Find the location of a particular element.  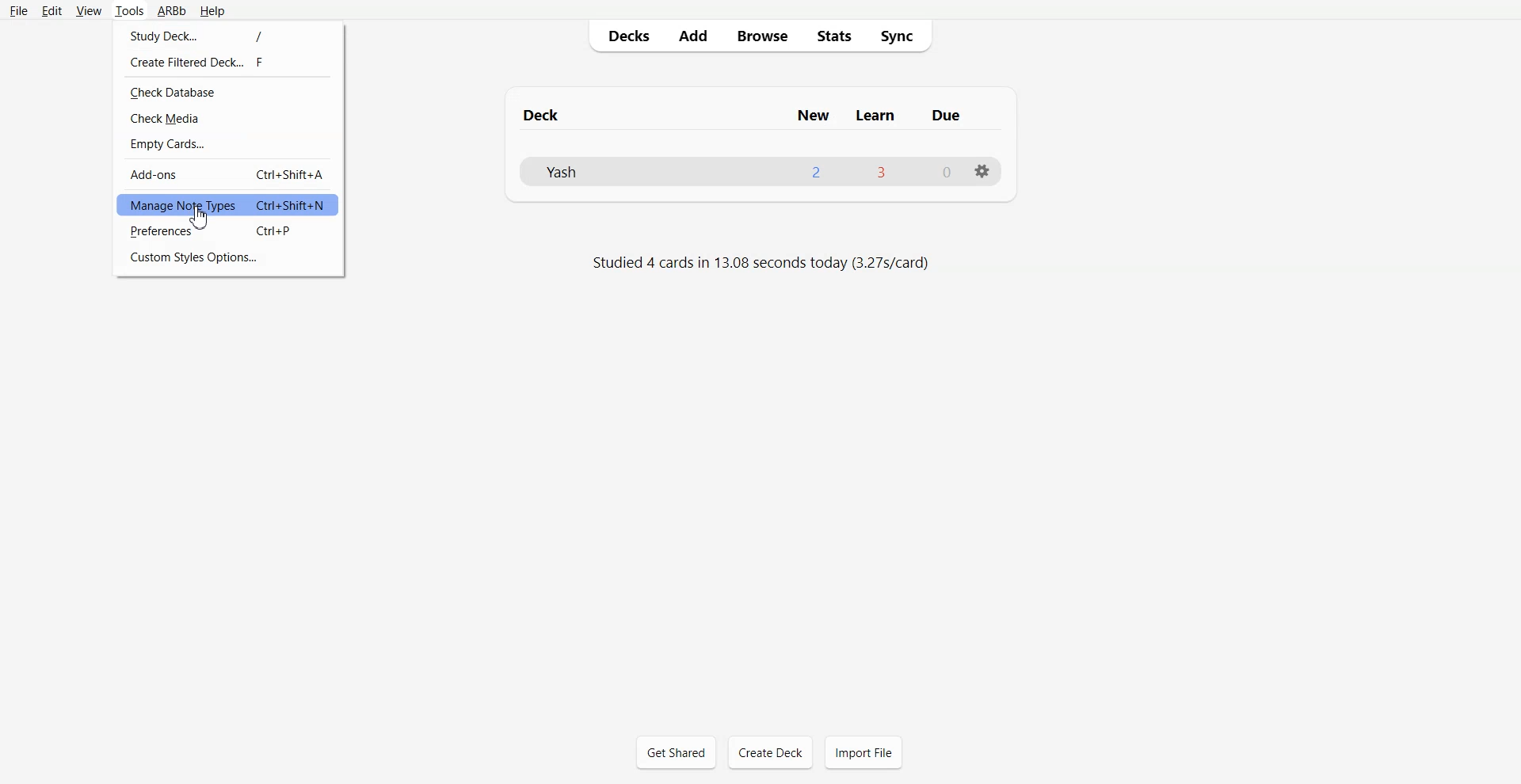

Study Deck is located at coordinates (227, 34).